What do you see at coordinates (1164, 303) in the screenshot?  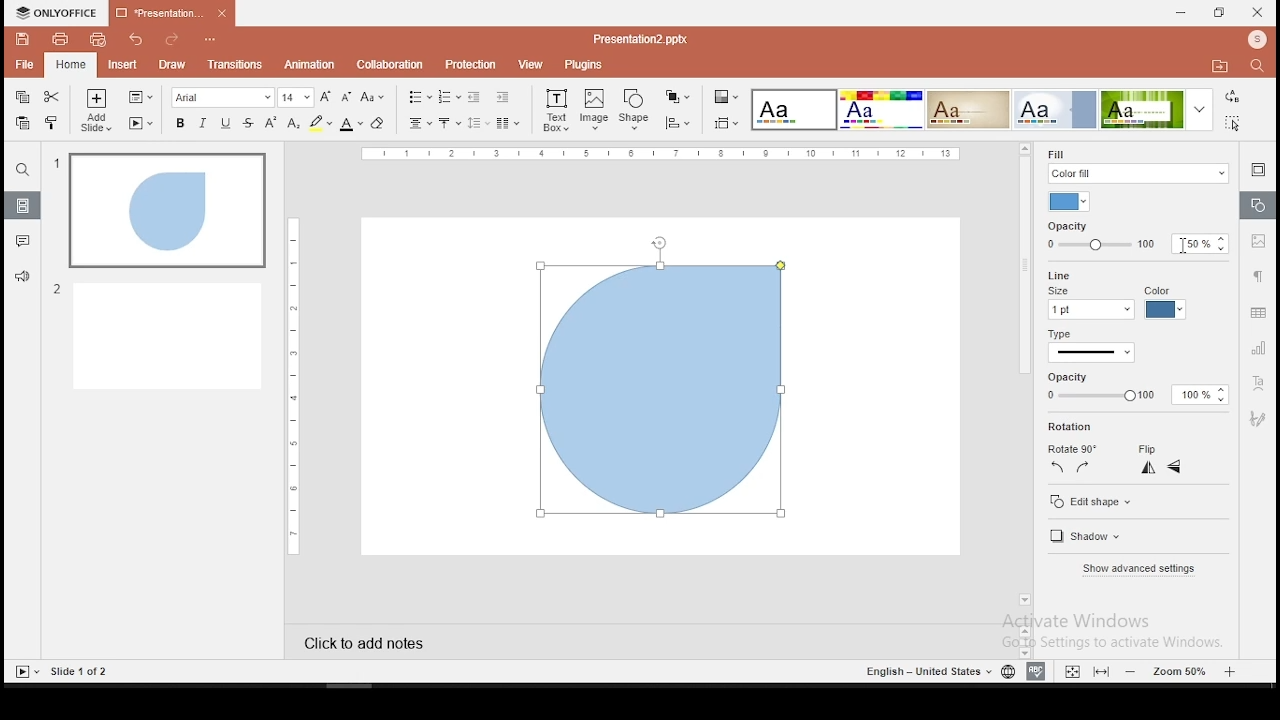 I see `line color` at bounding box center [1164, 303].